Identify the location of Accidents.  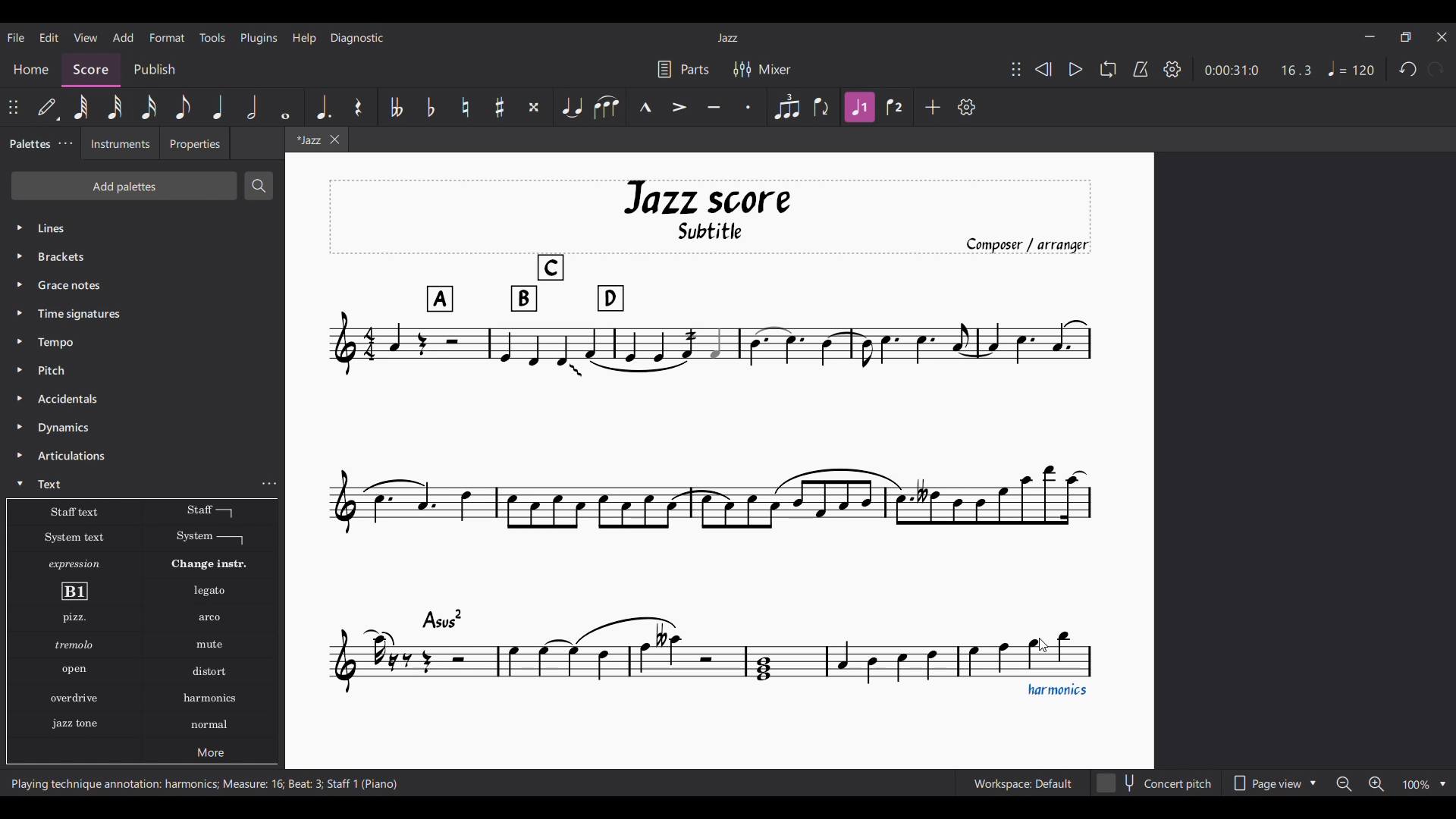
(71, 399).